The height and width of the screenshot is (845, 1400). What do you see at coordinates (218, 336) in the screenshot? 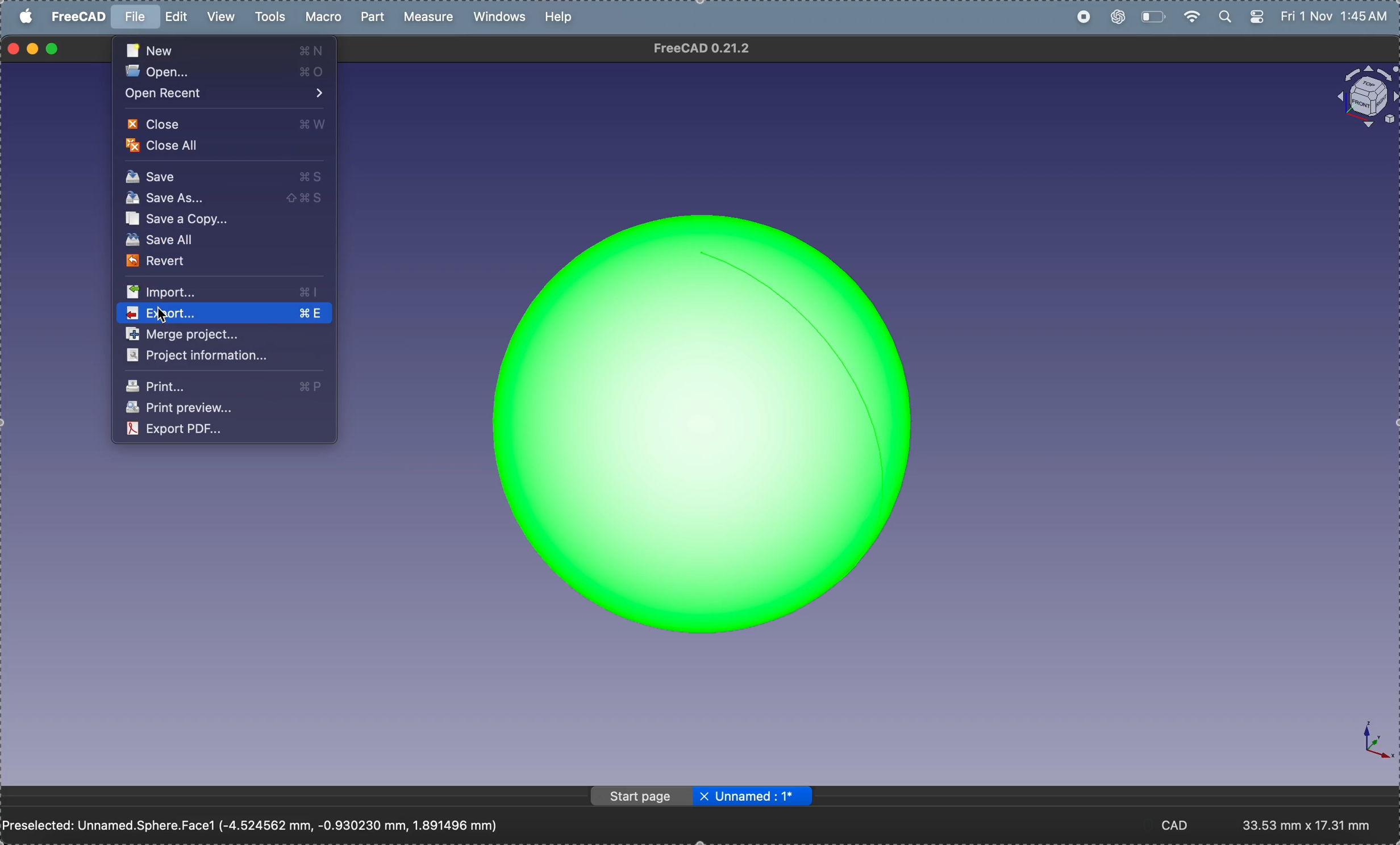
I see `merge project` at bounding box center [218, 336].